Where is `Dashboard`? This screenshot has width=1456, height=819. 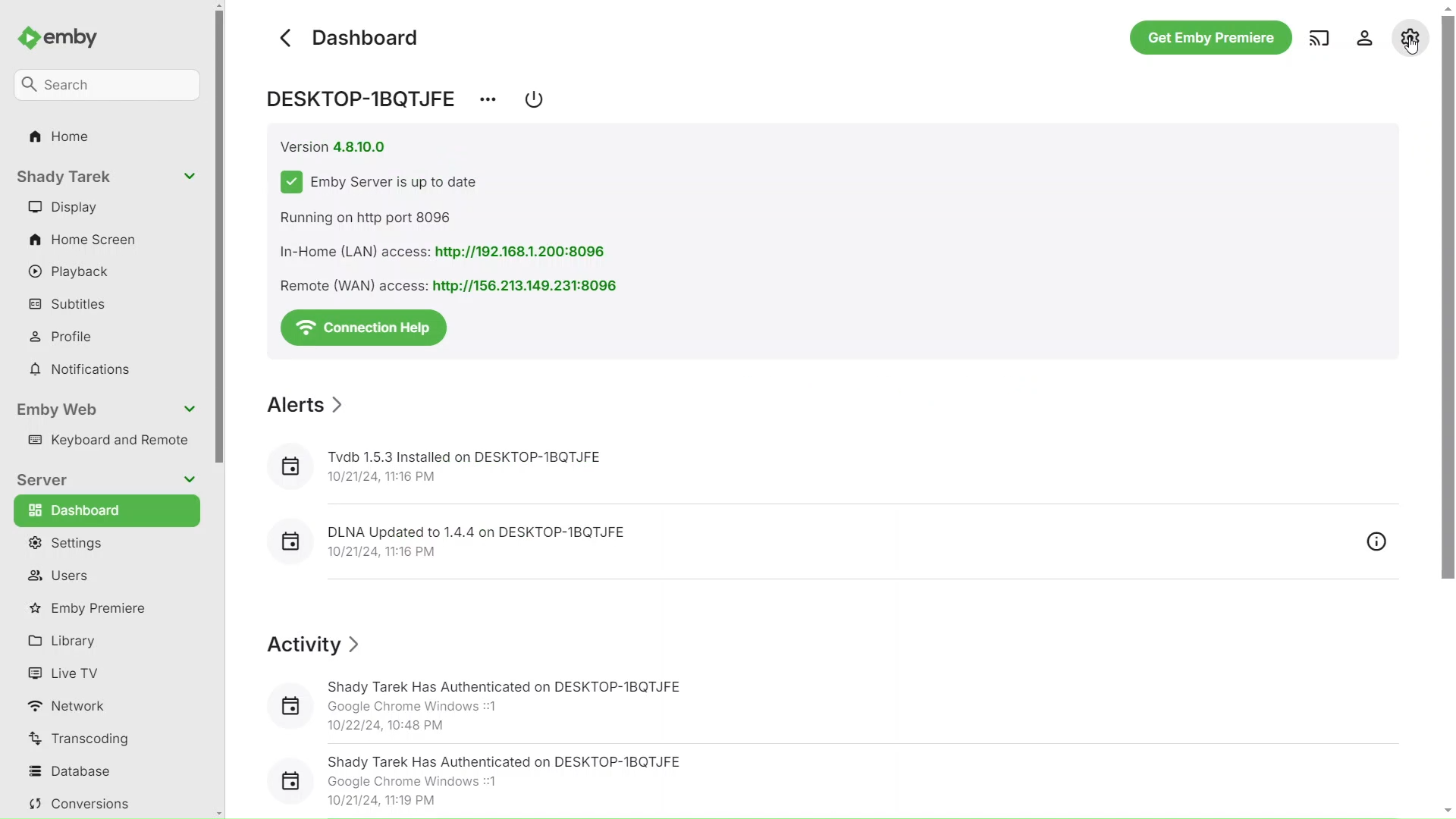
Dashboard is located at coordinates (372, 33).